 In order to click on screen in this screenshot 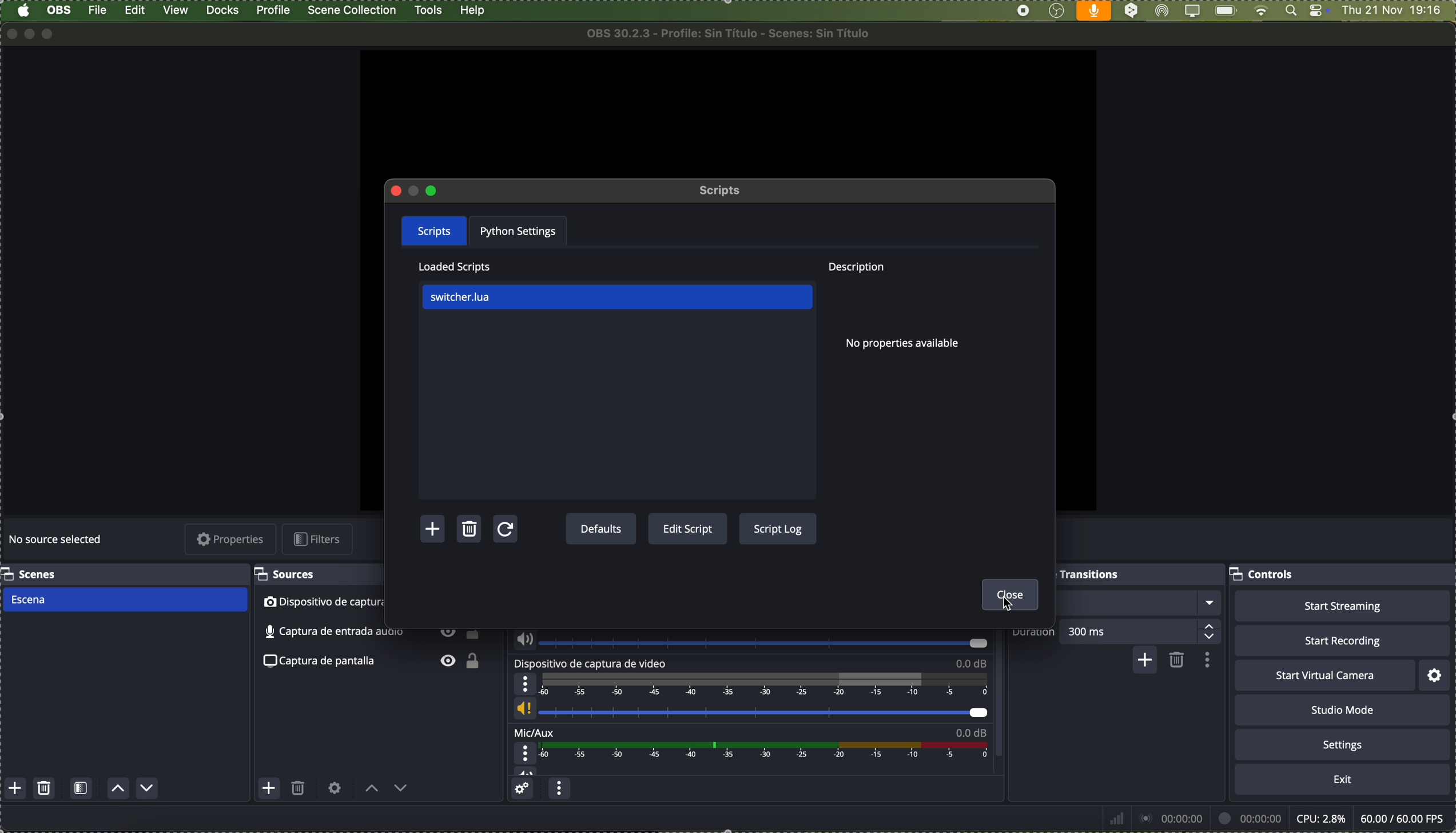, I will do `click(1191, 11)`.